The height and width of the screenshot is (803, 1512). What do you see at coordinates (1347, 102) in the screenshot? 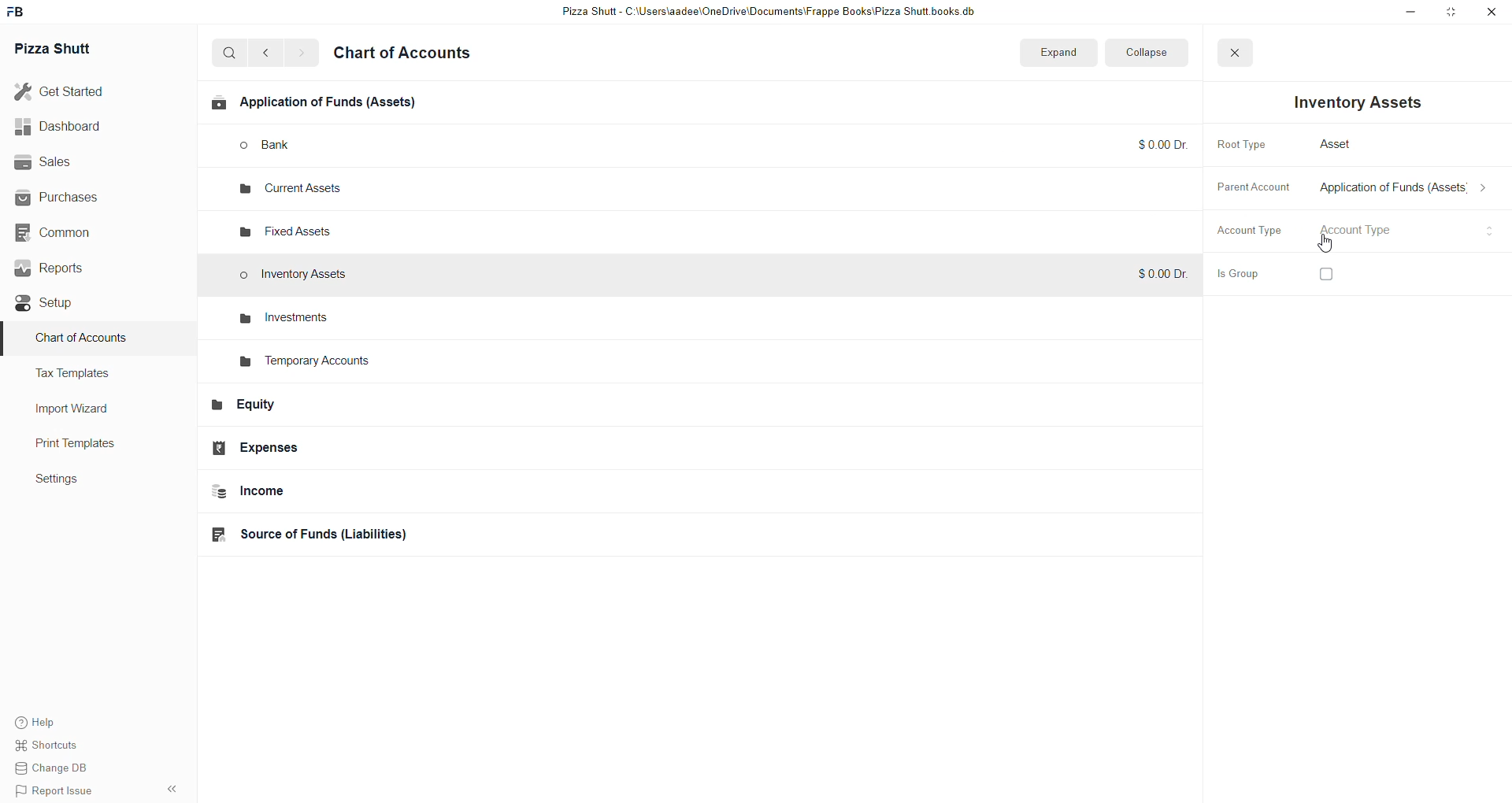
I see `Inventory Assets ` at bounding box center [1347, 102].